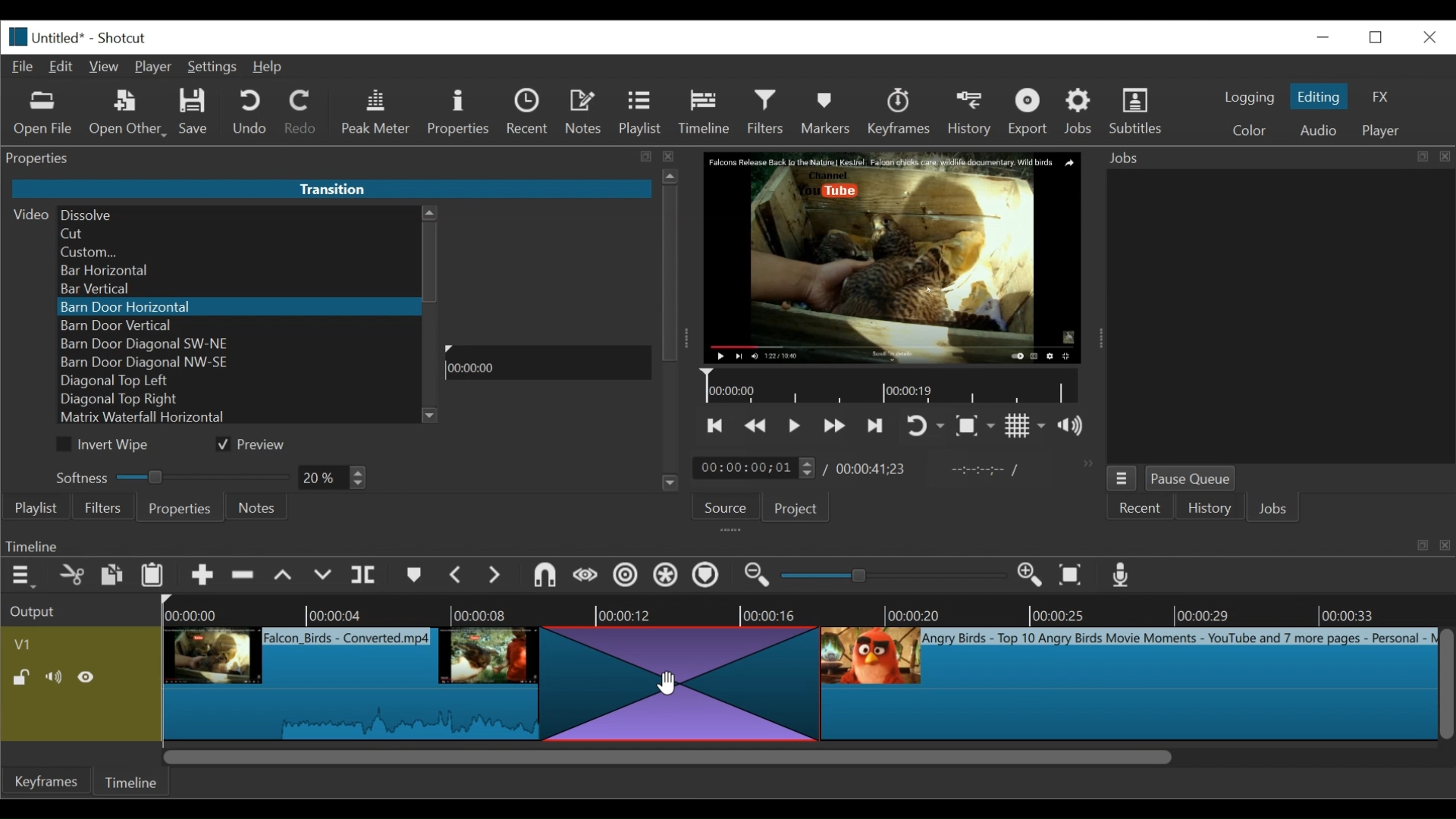 This screenshot has width=1456, height=819. Describe the element at coordinates (128, 114) in the screenshot. I see `Open Other` at that location.